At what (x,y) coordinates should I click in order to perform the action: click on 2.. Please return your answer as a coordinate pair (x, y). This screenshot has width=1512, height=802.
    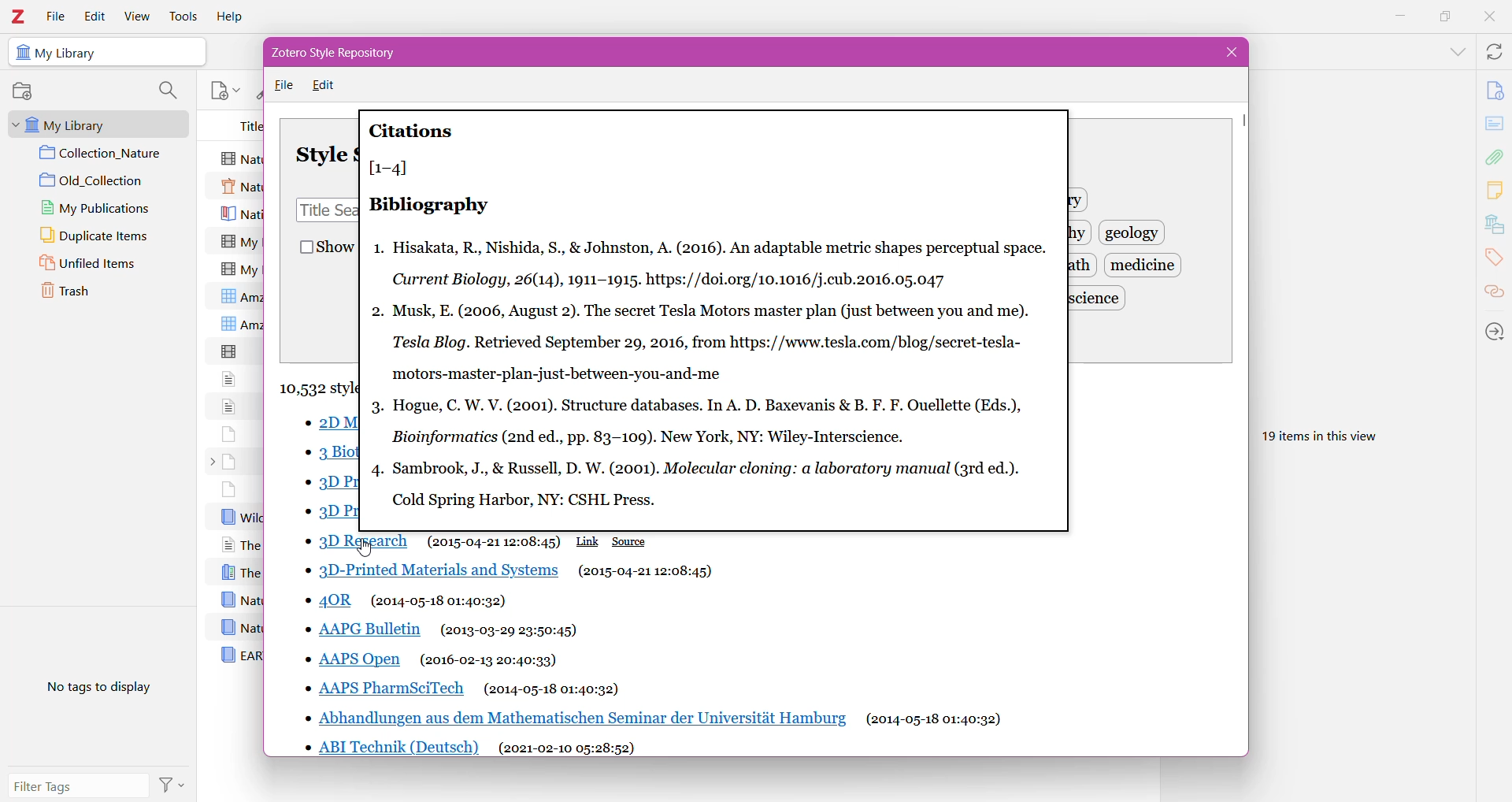
    Looking at the image, I should click on (376, 314).